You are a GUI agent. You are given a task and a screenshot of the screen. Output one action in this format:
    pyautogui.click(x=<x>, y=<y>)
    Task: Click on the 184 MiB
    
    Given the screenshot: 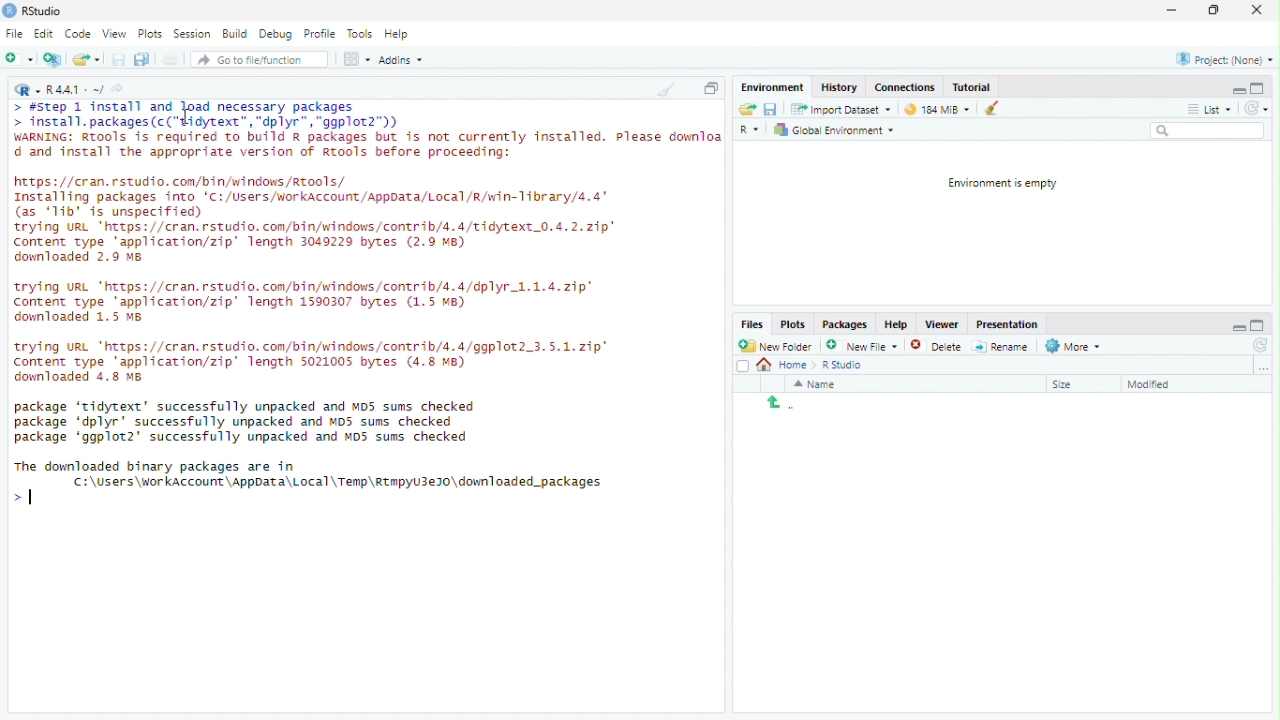 What is the action you would take?
    pyautogui.click(x=934, y=107)
    